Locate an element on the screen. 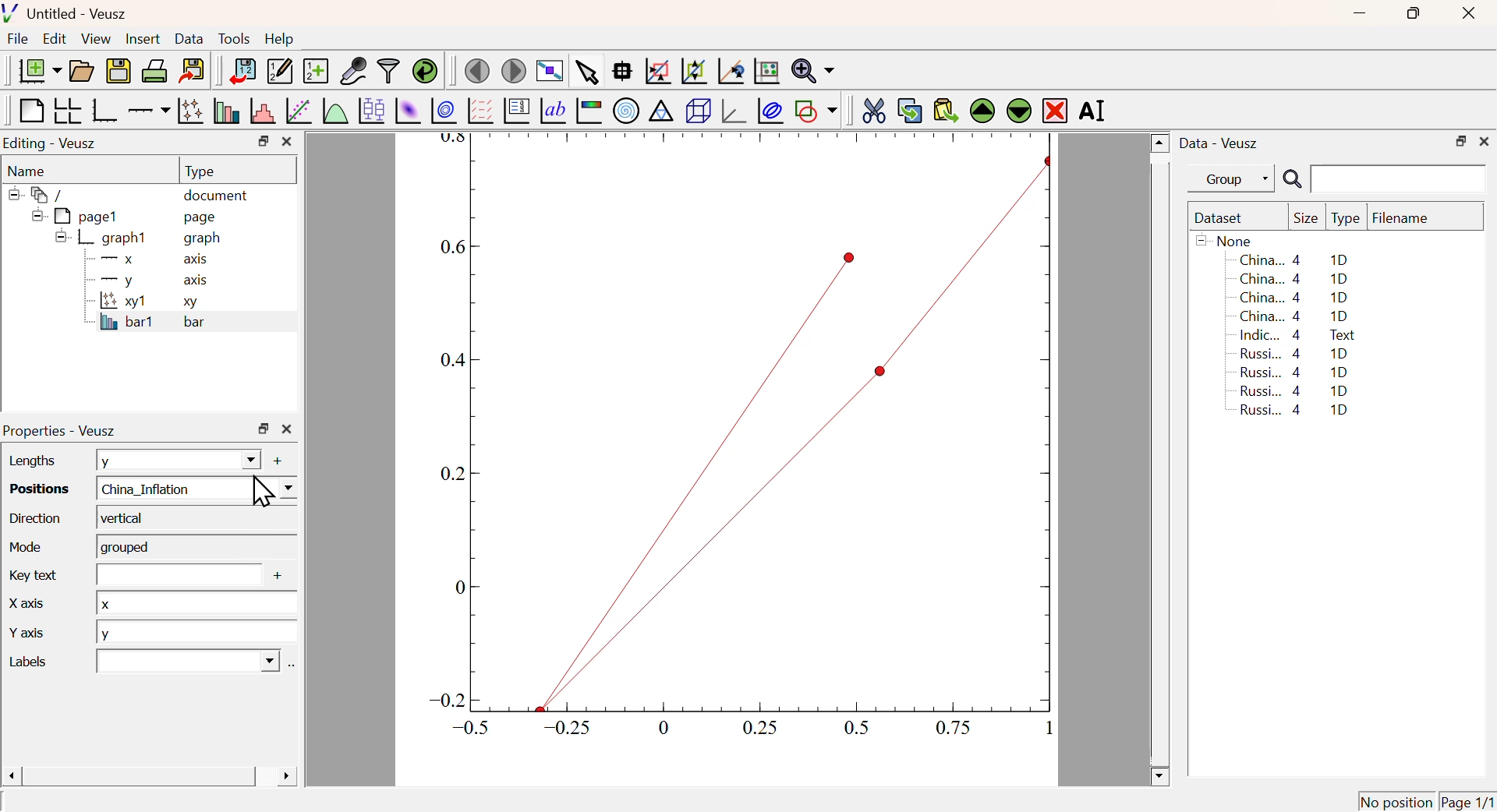 This screenshot has width=1497, height=812. Add an axis to a plot is located at coordinates (148, 112).